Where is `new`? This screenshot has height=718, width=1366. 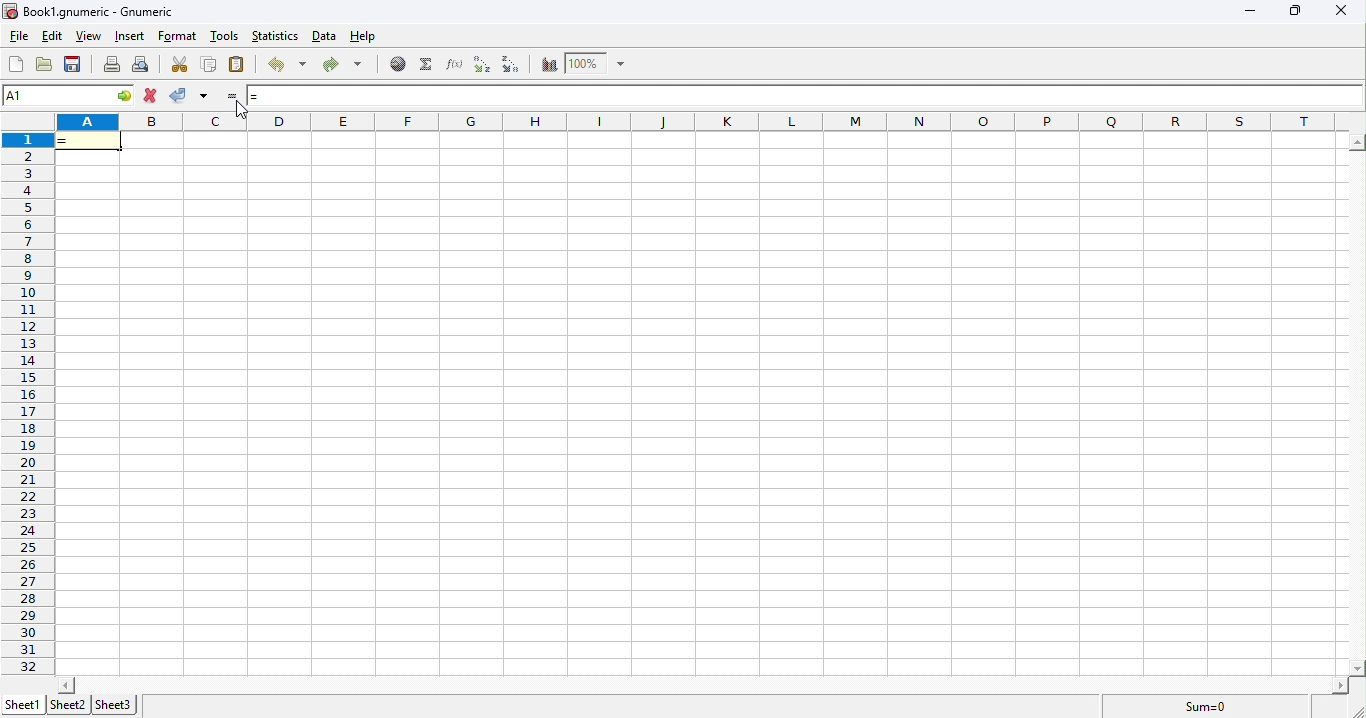 new is located at coordinates (16, 65).